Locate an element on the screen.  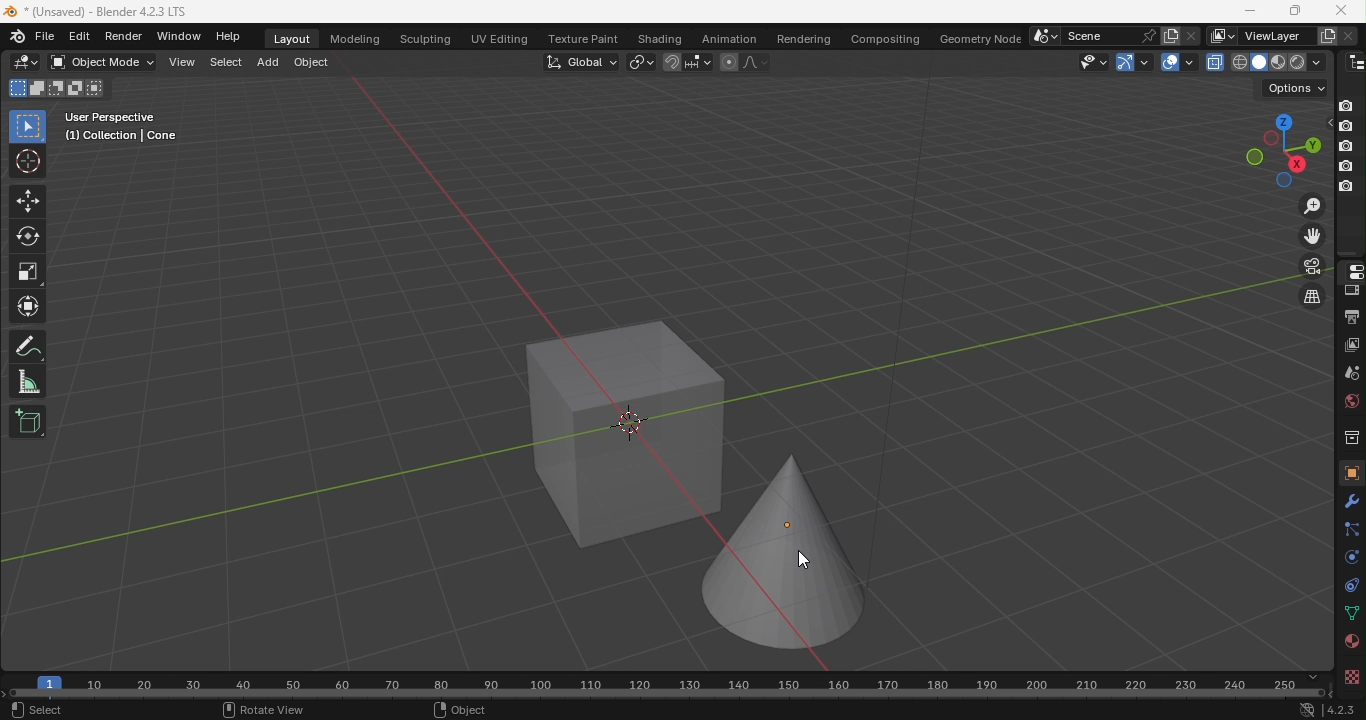
Browse scene to be linked is located at coordinates (1043, 34).